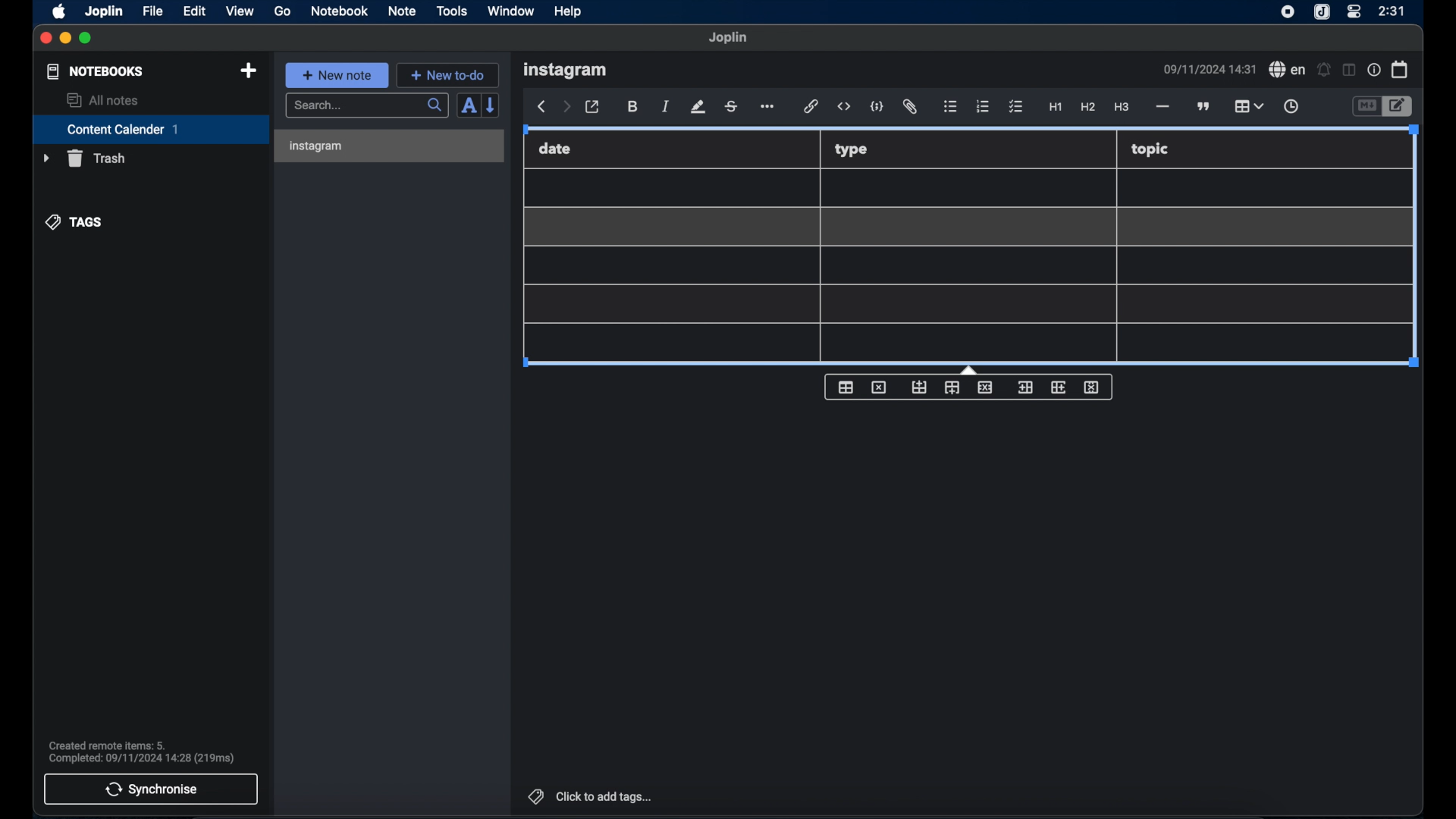  What do you see at coordinates (879, 387) in the screenshot?
I see `delete table` at bounding box center [879, 387].